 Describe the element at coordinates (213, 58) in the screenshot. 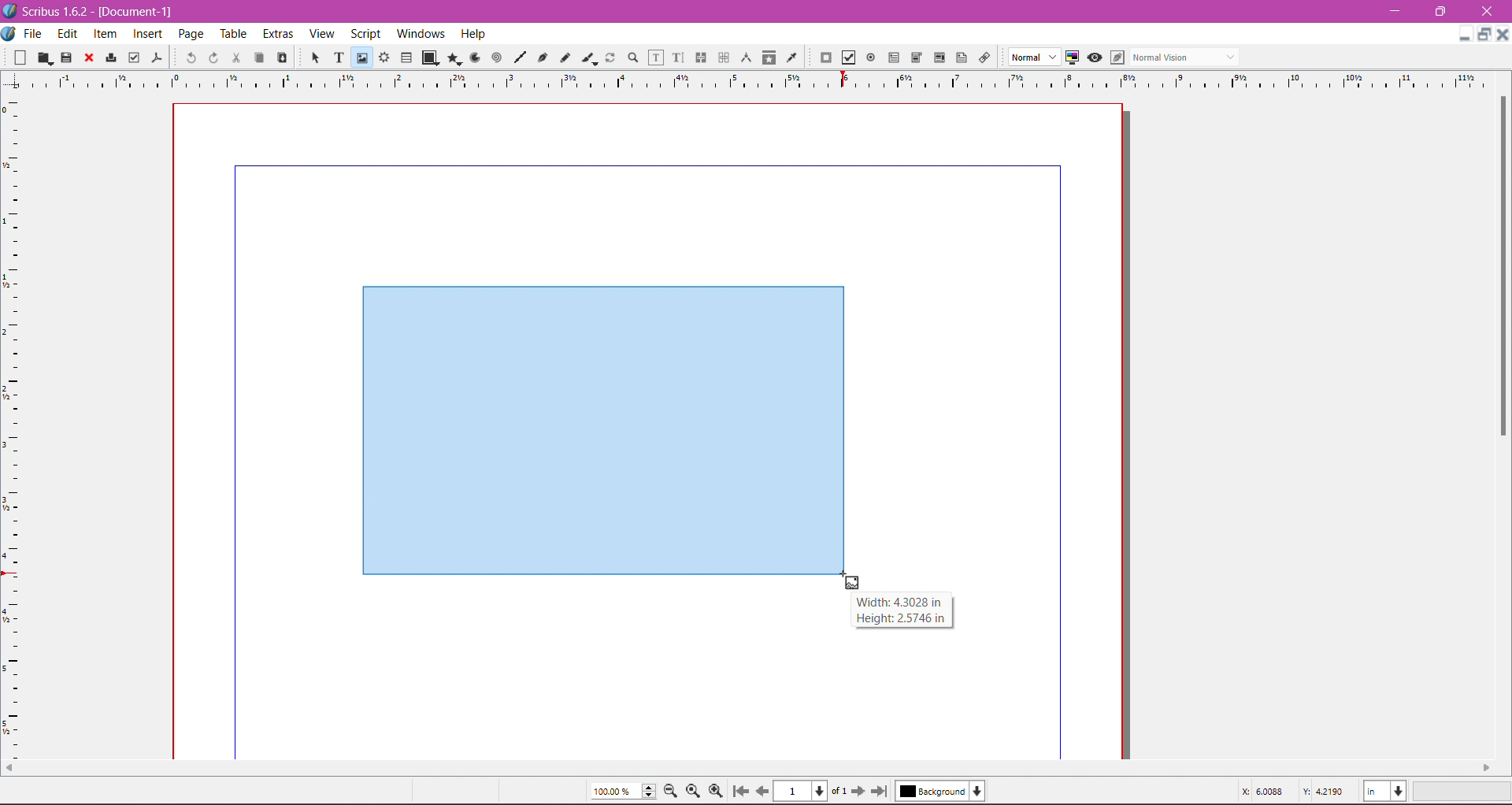

I see `Redo` at that location.